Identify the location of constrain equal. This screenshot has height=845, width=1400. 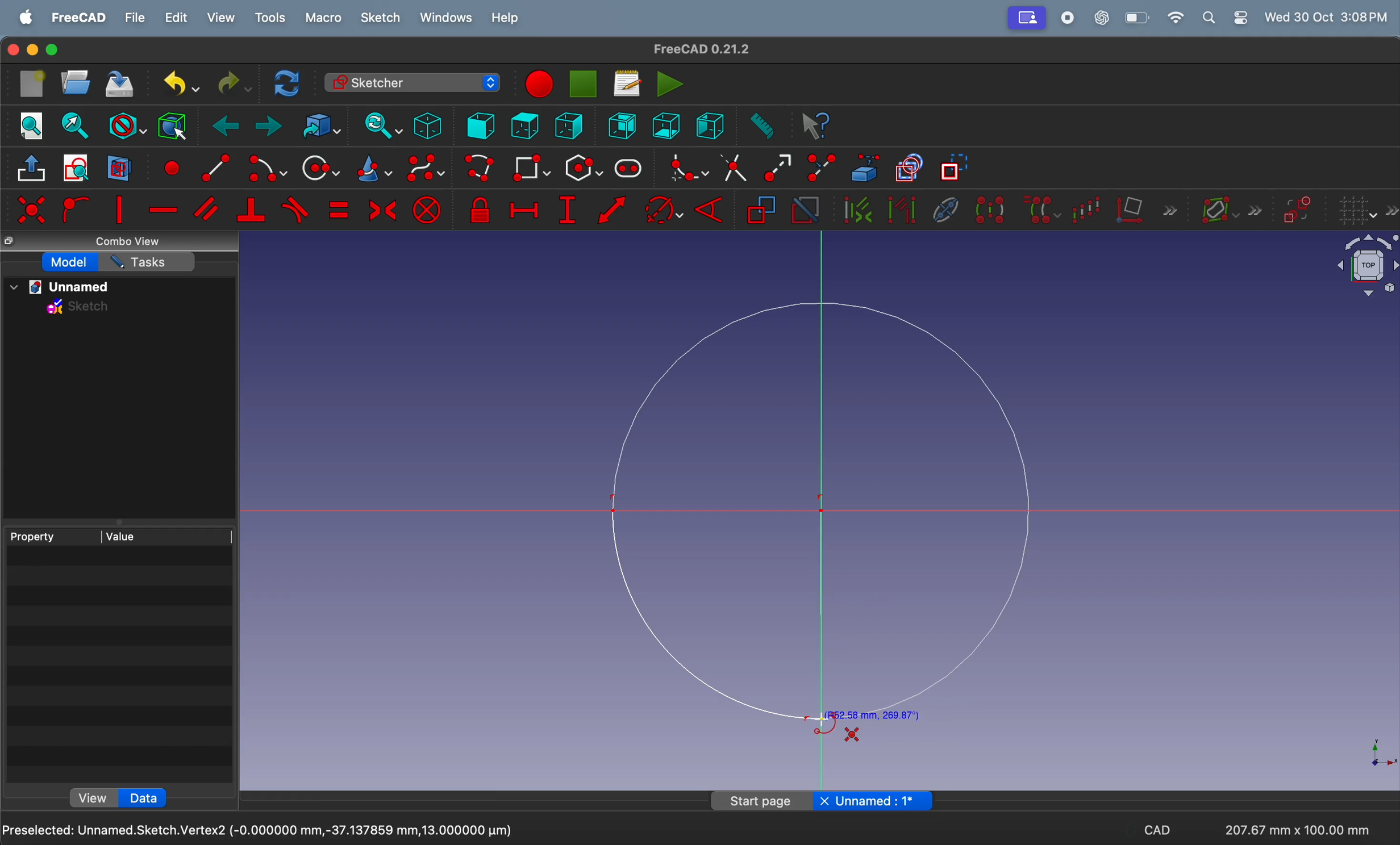
(338, 210).